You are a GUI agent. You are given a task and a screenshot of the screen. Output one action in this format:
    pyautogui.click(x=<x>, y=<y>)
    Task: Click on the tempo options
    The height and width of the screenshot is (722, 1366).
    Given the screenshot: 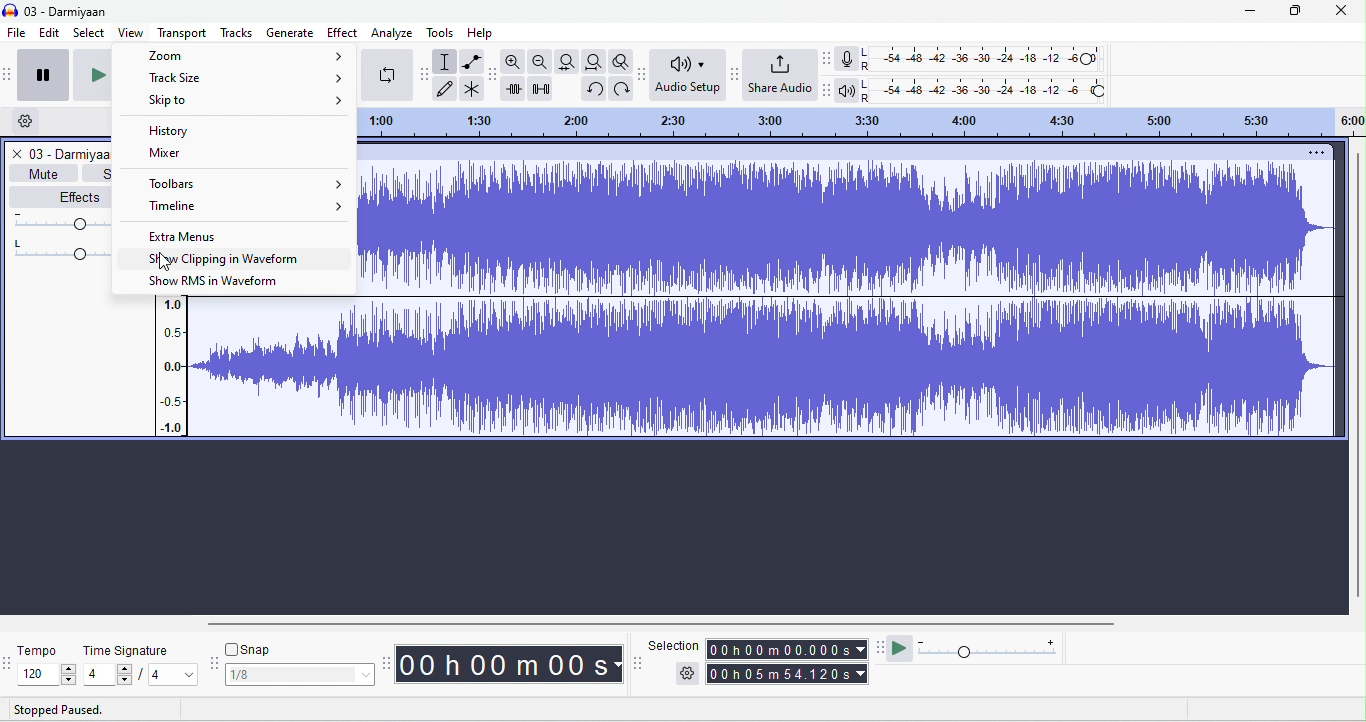 What is the action you would take?
    pyautogui.click(x=9, y=662)
    